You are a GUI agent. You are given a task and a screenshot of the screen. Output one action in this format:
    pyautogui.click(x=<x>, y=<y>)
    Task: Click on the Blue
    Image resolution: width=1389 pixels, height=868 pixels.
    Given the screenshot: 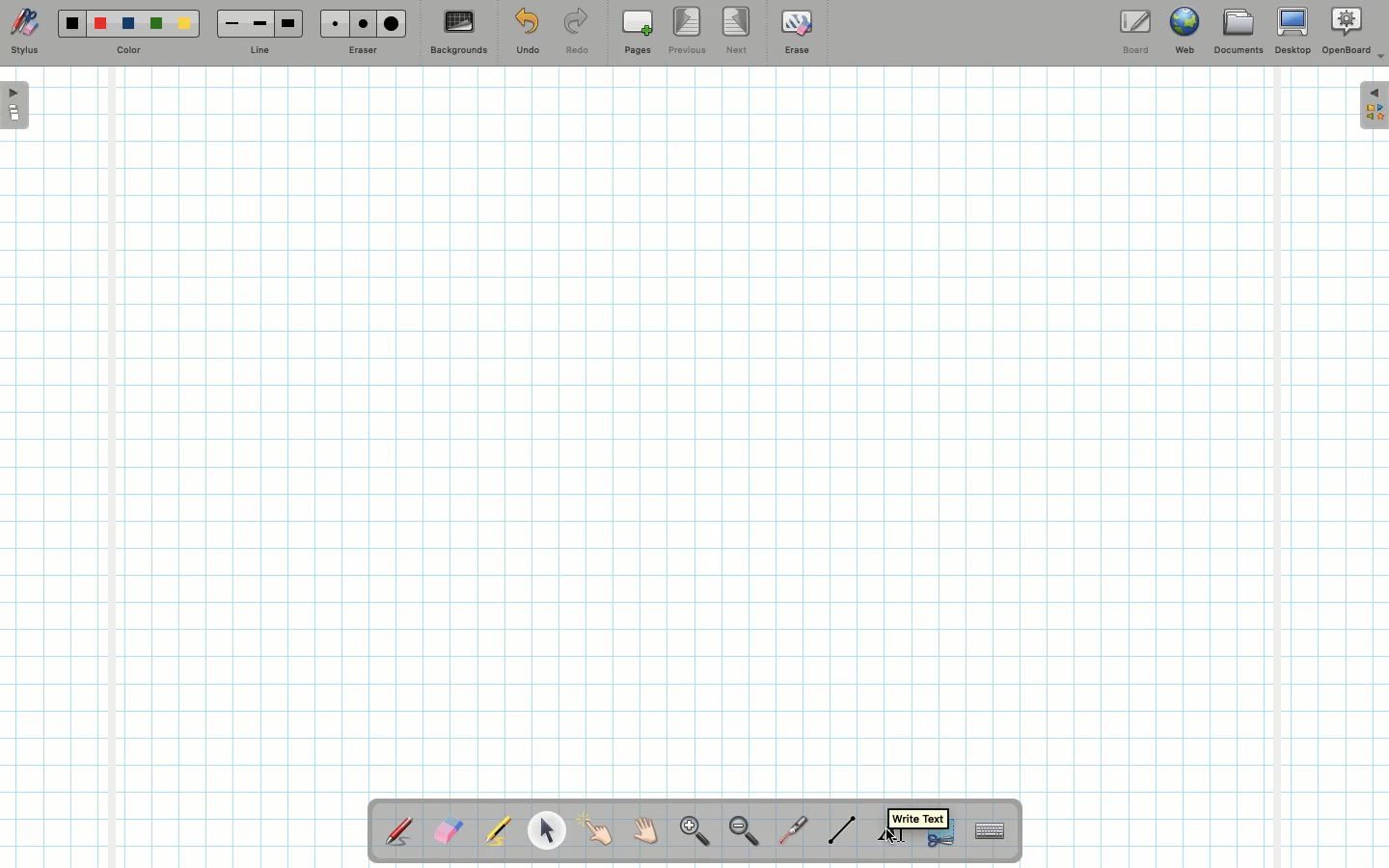 What is the action you would take?
    pyautogui.click(x=129, y=24)
    